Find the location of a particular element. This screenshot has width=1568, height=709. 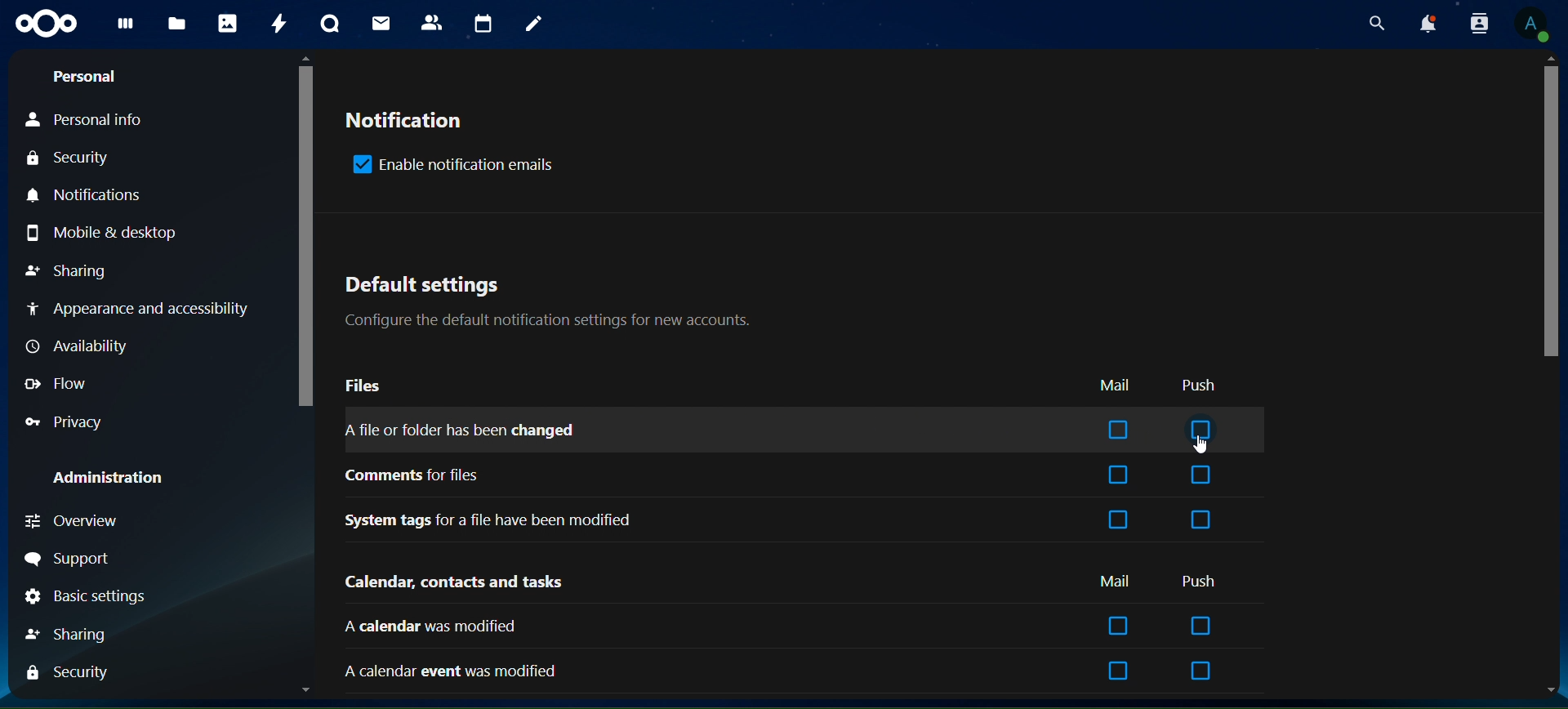

administration is located at coordinates (108, 479).